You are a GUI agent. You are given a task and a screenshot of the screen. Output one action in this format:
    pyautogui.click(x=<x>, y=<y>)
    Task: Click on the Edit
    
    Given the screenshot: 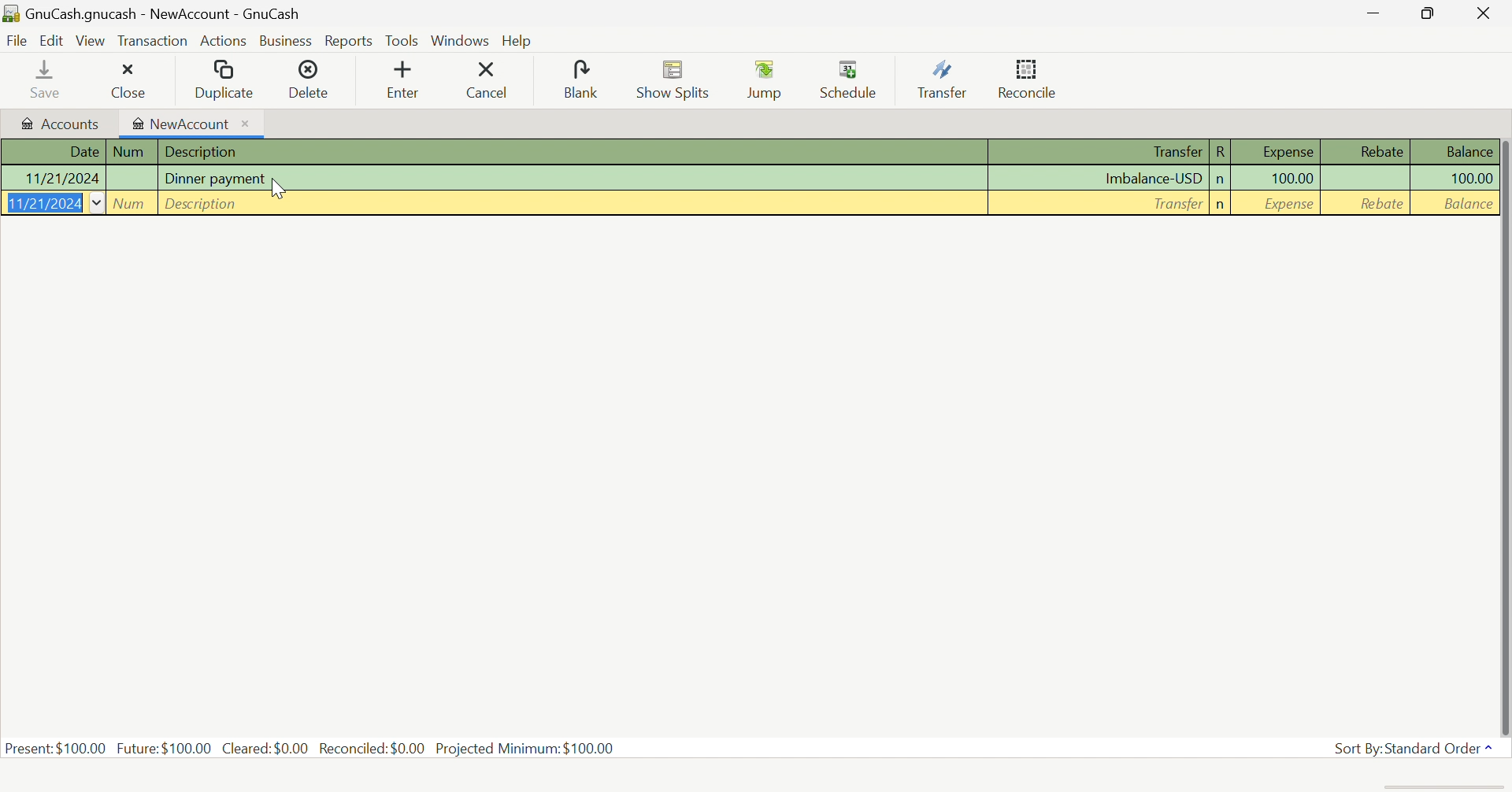 What is the action you would take?
    pyautogui.click(x=51, y=40)
    